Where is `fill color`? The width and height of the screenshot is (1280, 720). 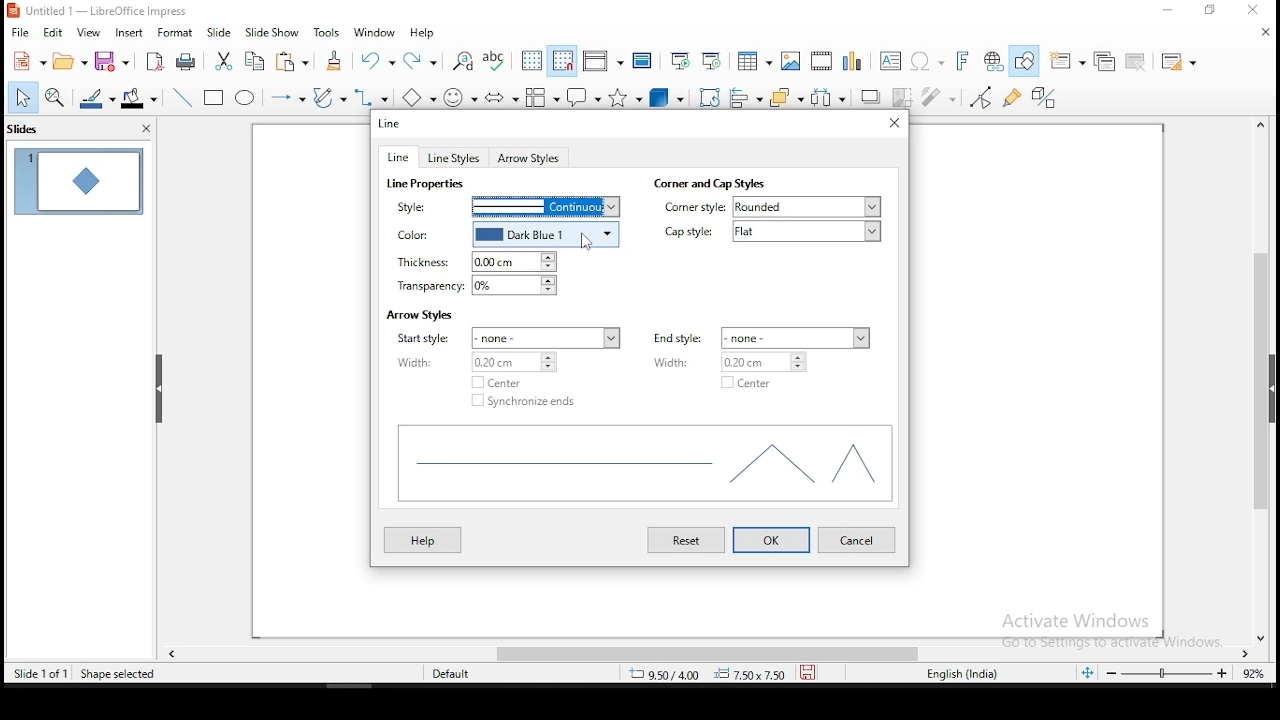 fill color is located at coordinates (141, 99).